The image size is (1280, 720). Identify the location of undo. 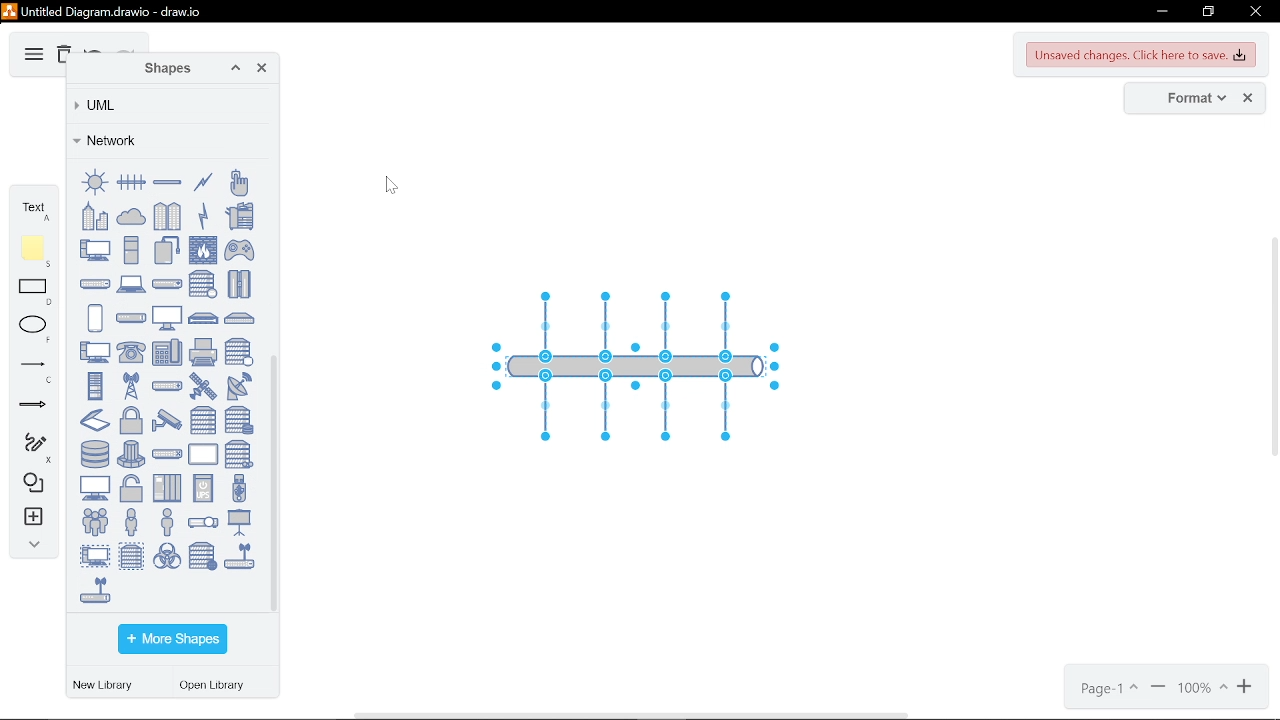
(94, 49).